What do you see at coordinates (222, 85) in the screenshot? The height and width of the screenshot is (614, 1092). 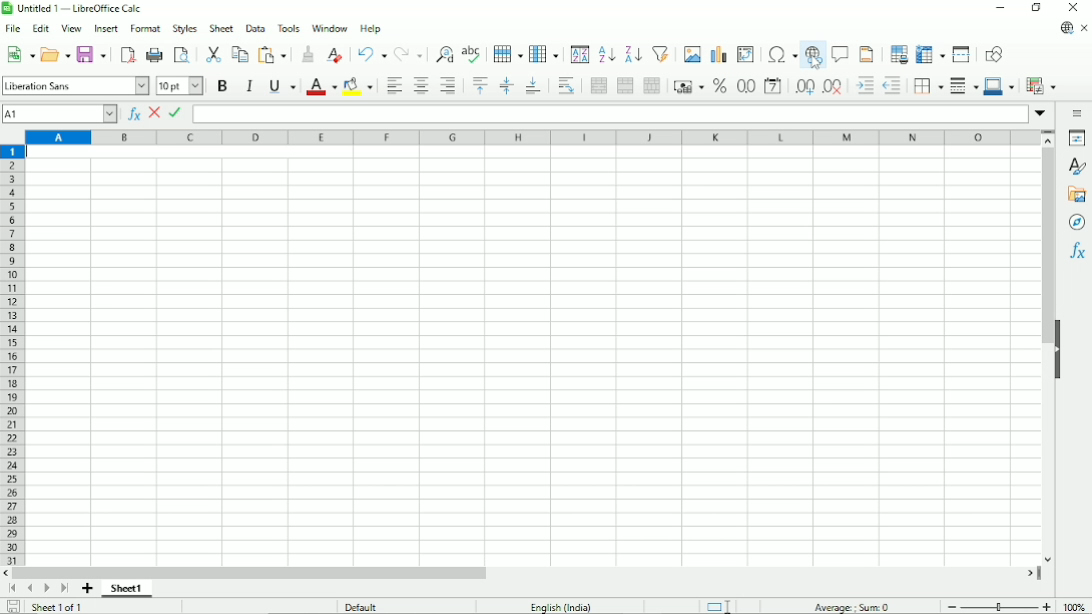 I see `Bold` at bounding box center [222, 85].